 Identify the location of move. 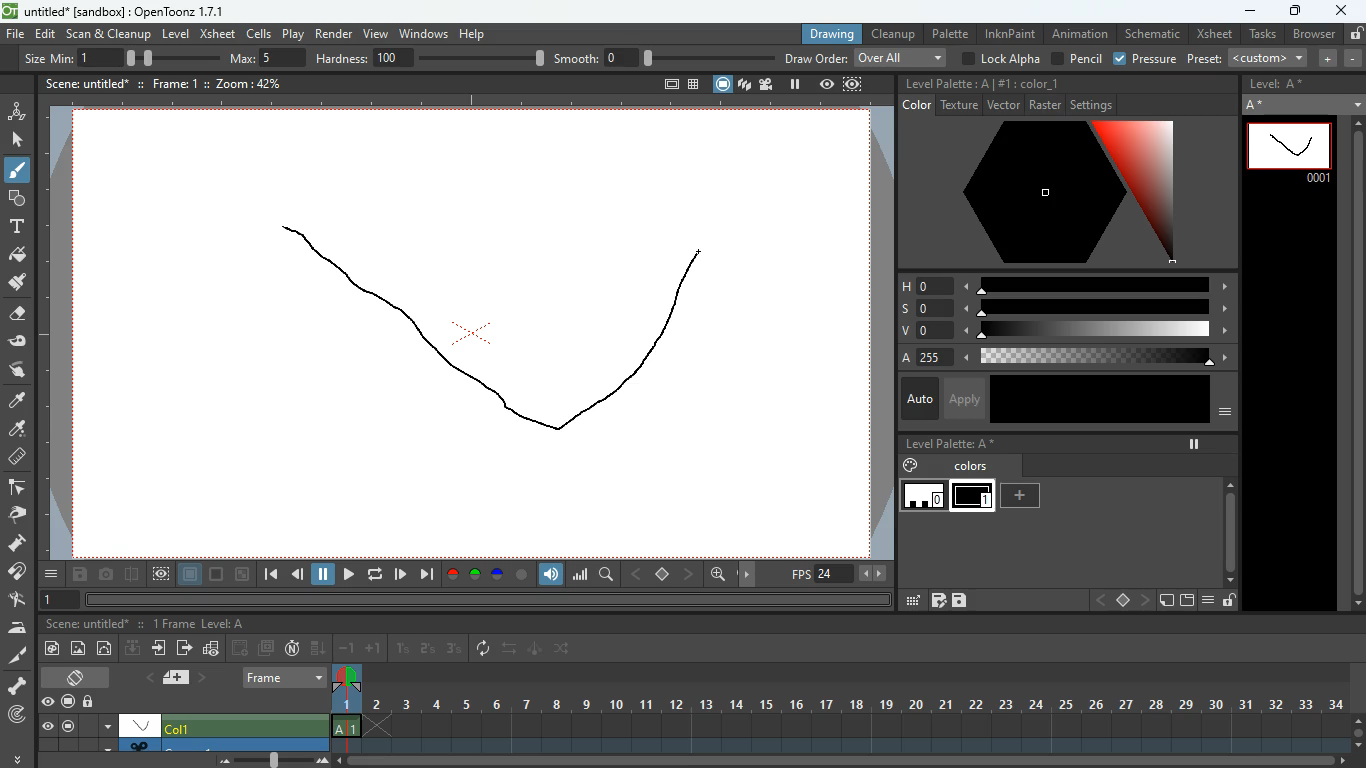
(161, 648).